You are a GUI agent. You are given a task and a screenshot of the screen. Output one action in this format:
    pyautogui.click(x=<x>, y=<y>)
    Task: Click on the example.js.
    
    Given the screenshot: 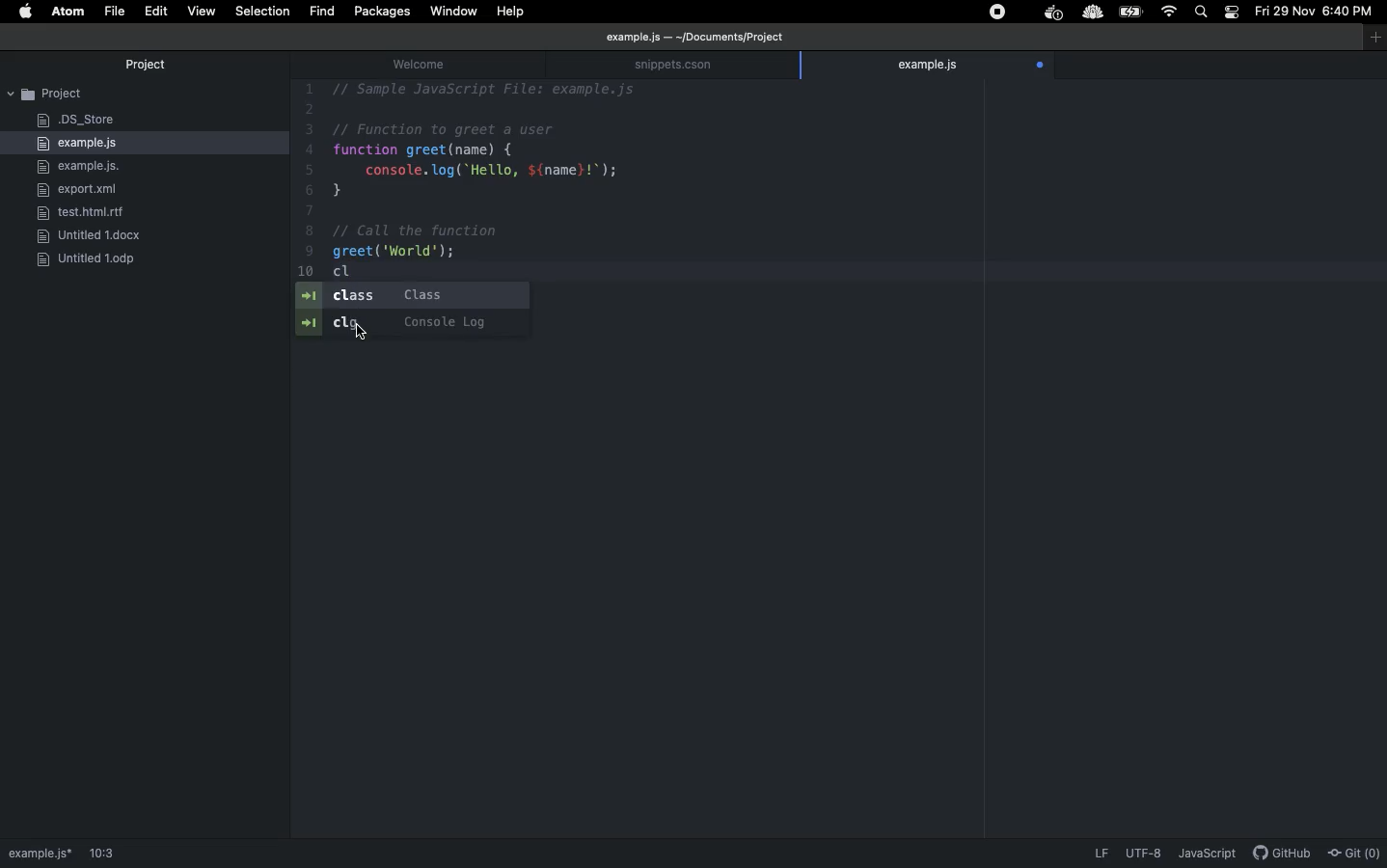 What is the action you would take?
    pyautogui.click(x=81, y=167)
    